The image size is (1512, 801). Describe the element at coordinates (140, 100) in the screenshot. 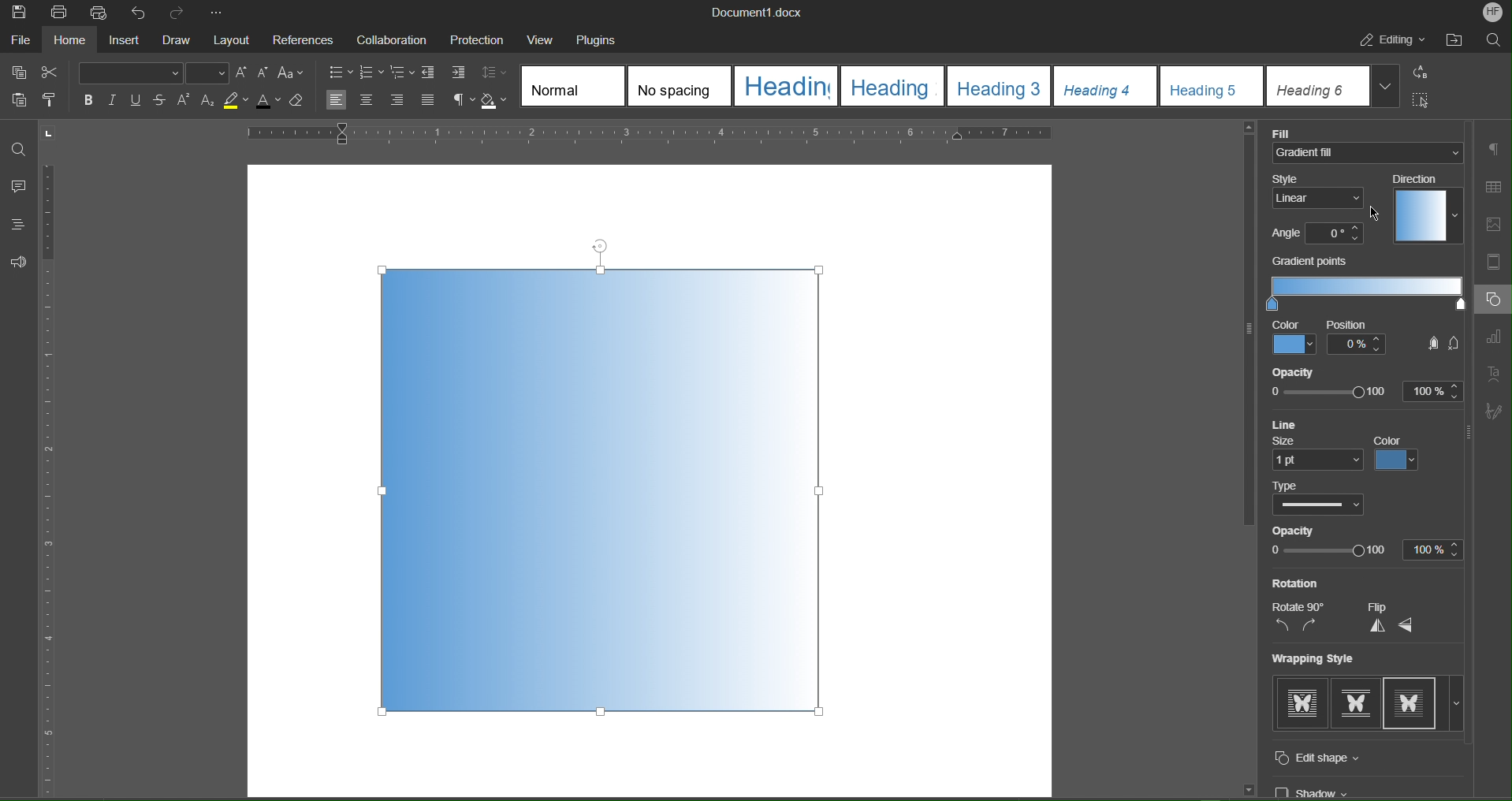

I see `Underline` at that location.